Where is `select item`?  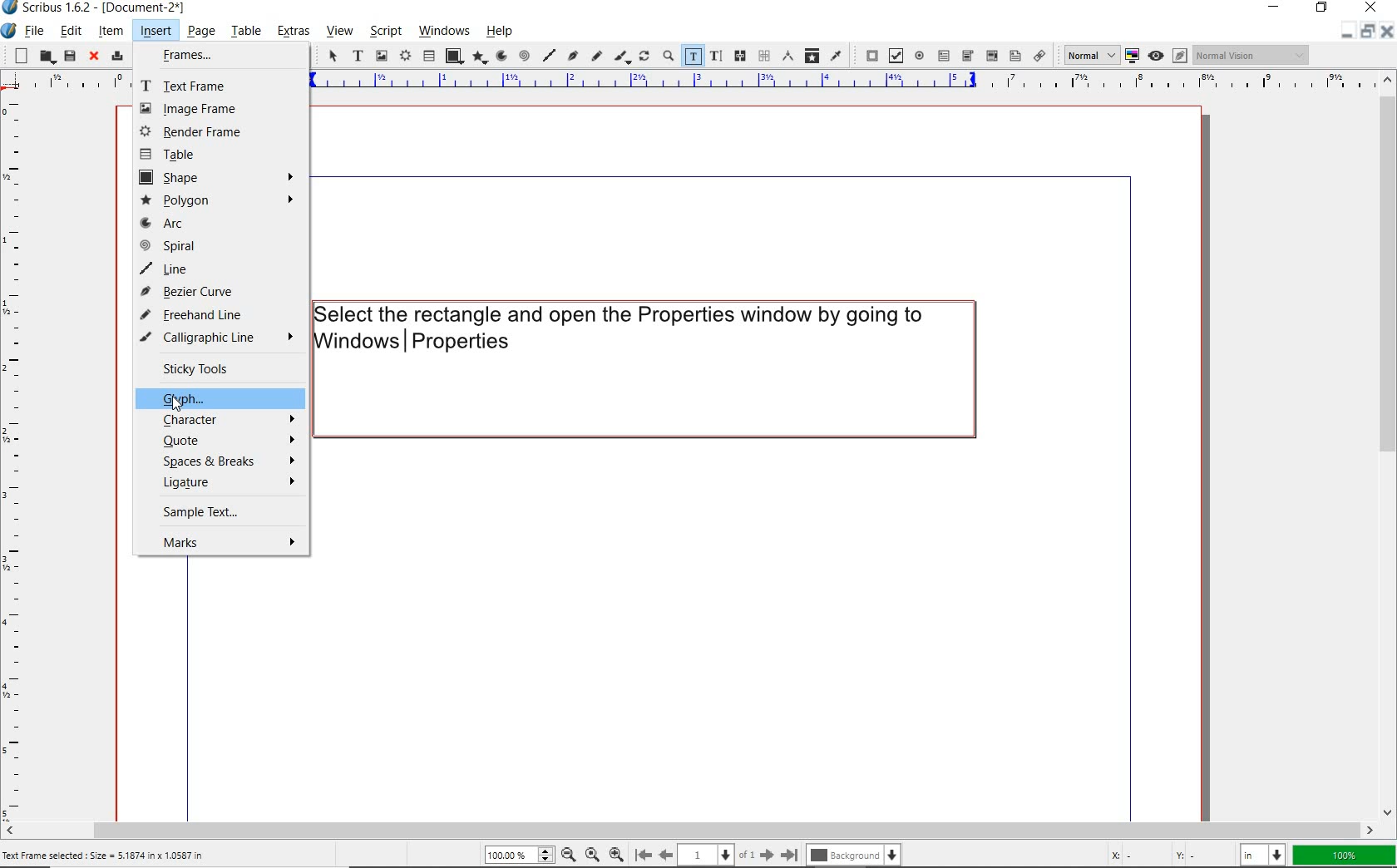
select item is located at coordinates (332, 57).